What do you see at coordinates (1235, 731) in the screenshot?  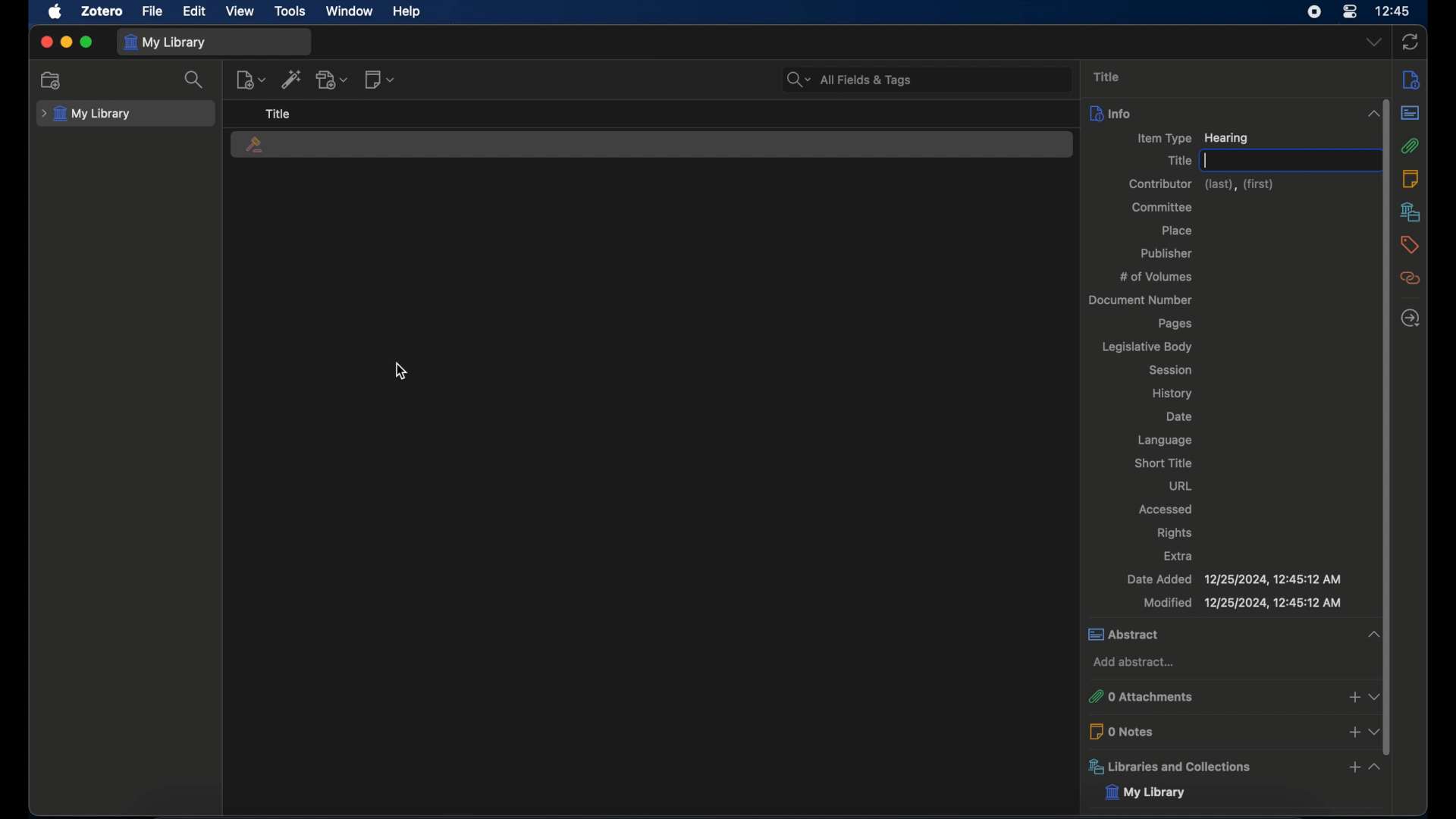 I see `0 notes` at bounding box center [1235, 731].